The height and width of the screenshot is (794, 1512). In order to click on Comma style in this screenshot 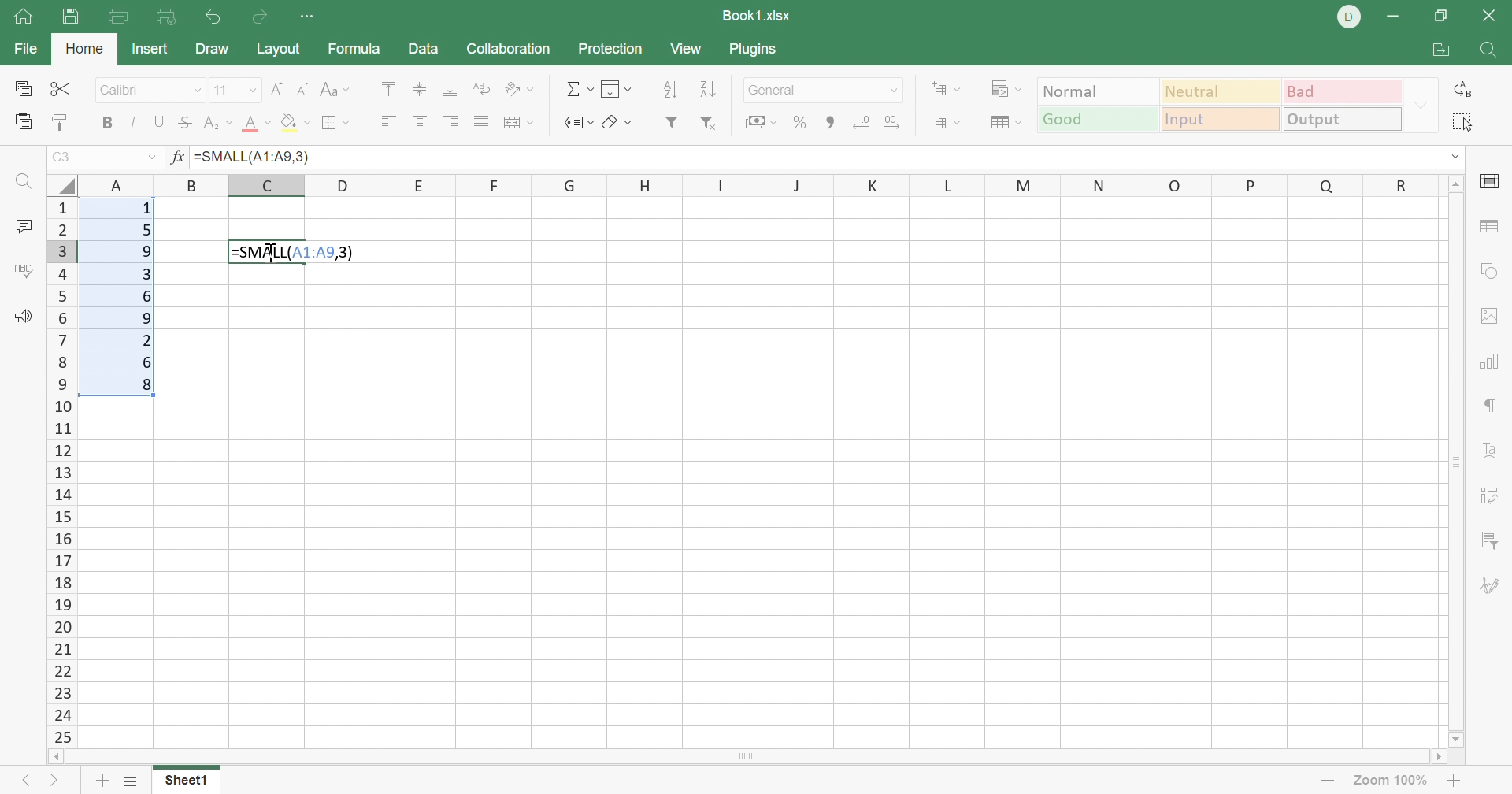, I will do `click(827, 123)`.